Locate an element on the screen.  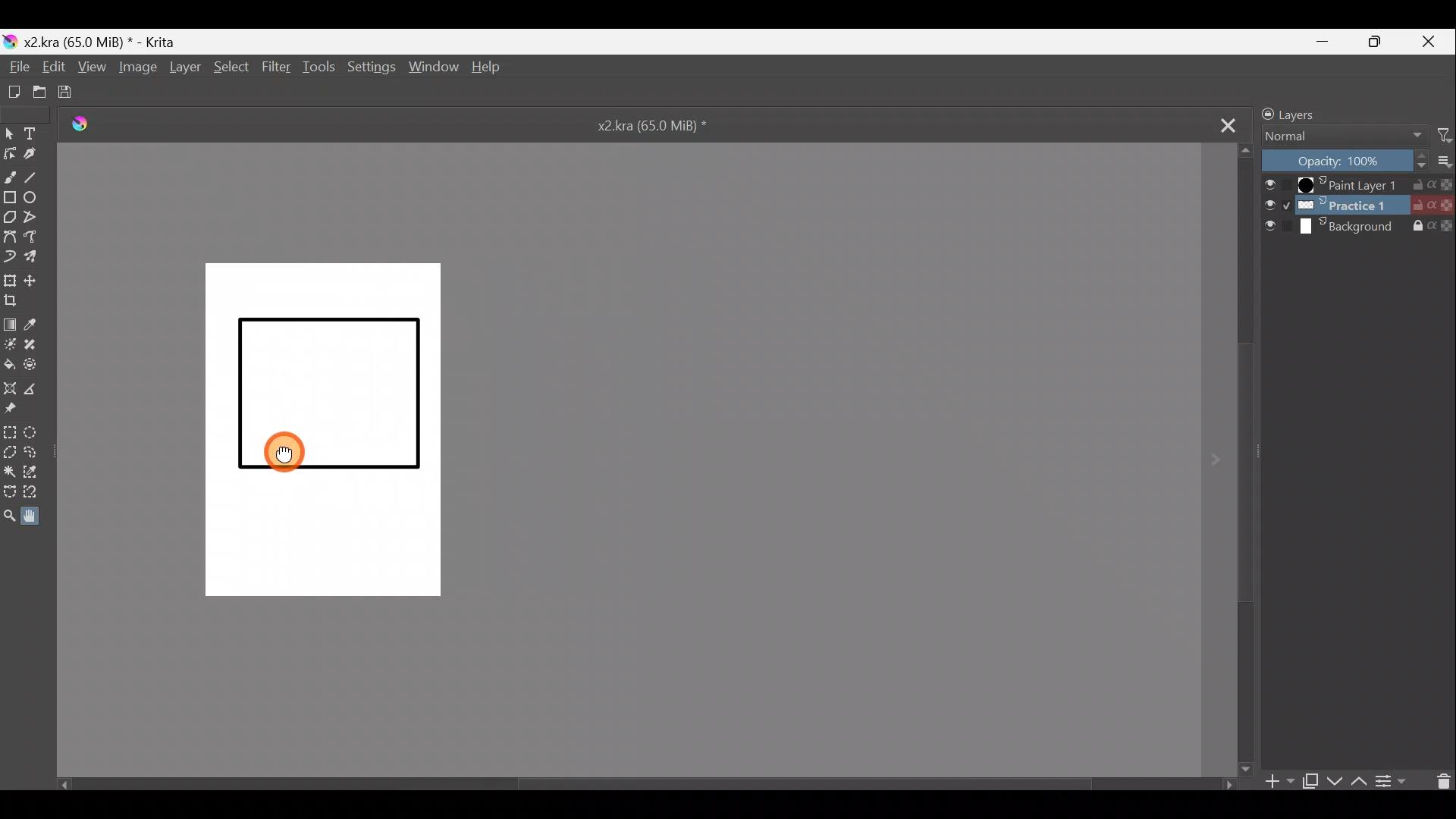
Maximize is located at coordinates (1376, 42).